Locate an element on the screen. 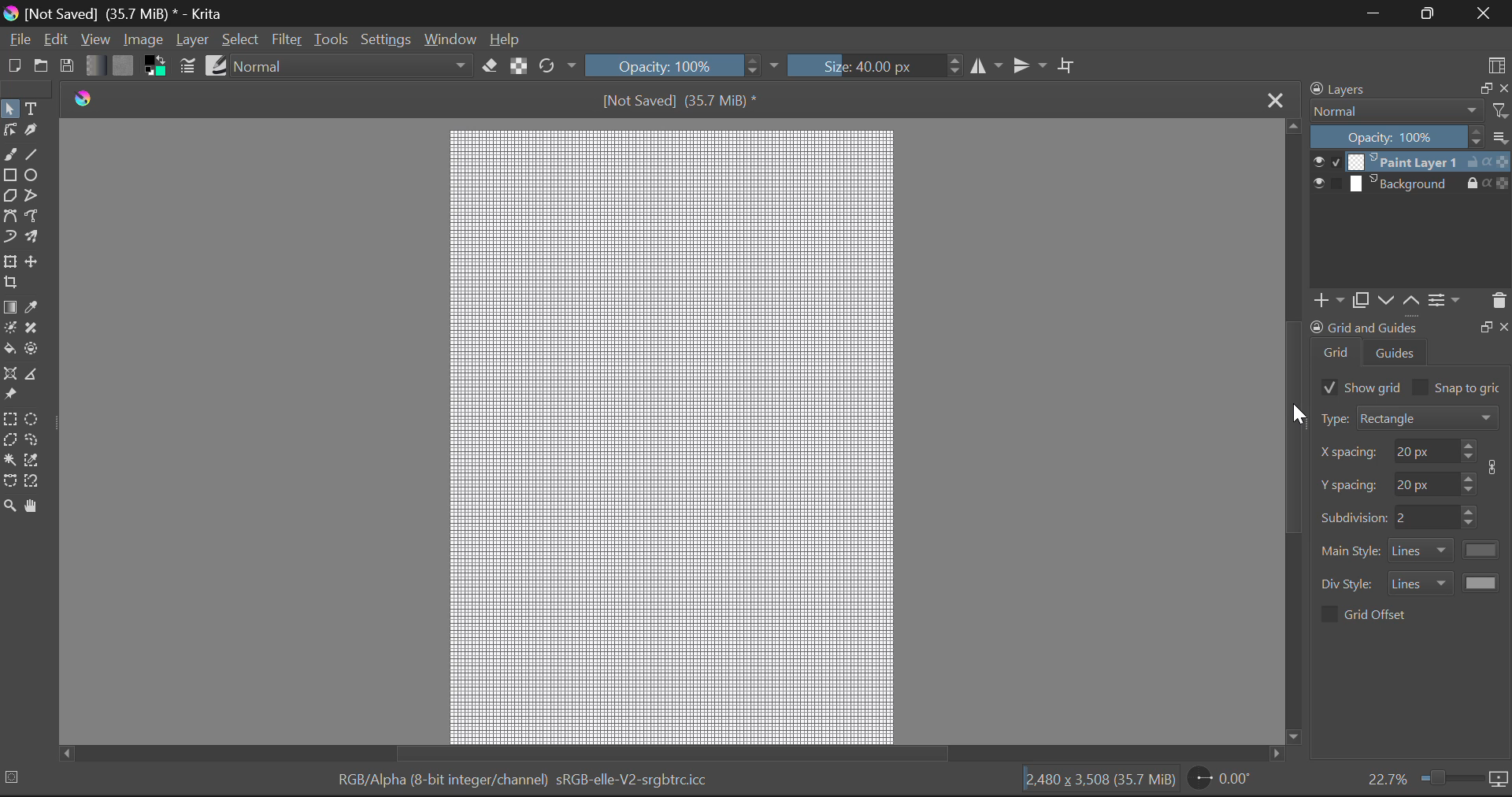 This screenshot has height=797, width=1512. Rectangle is located at coordinates (10, 176).